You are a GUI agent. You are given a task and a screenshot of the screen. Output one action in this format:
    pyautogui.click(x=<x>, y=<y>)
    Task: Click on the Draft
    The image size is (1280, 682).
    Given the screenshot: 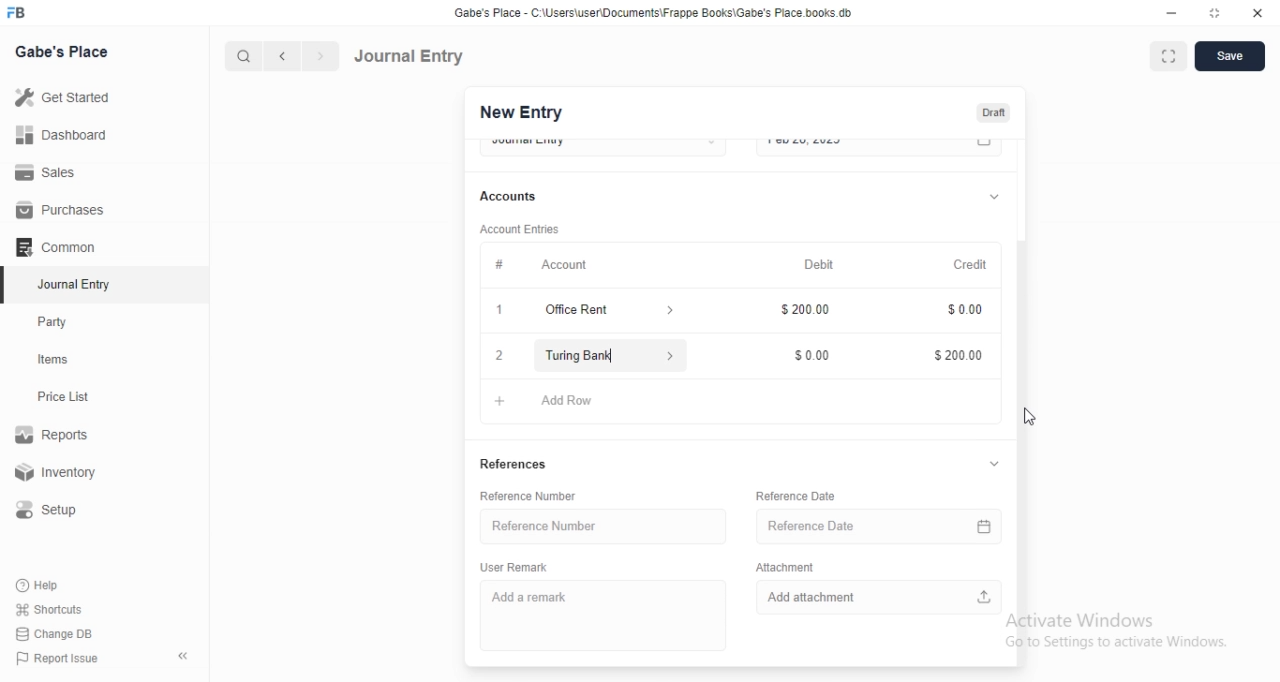 What is the action you would take?
    pyautogui.click(x=993, y=113)
    